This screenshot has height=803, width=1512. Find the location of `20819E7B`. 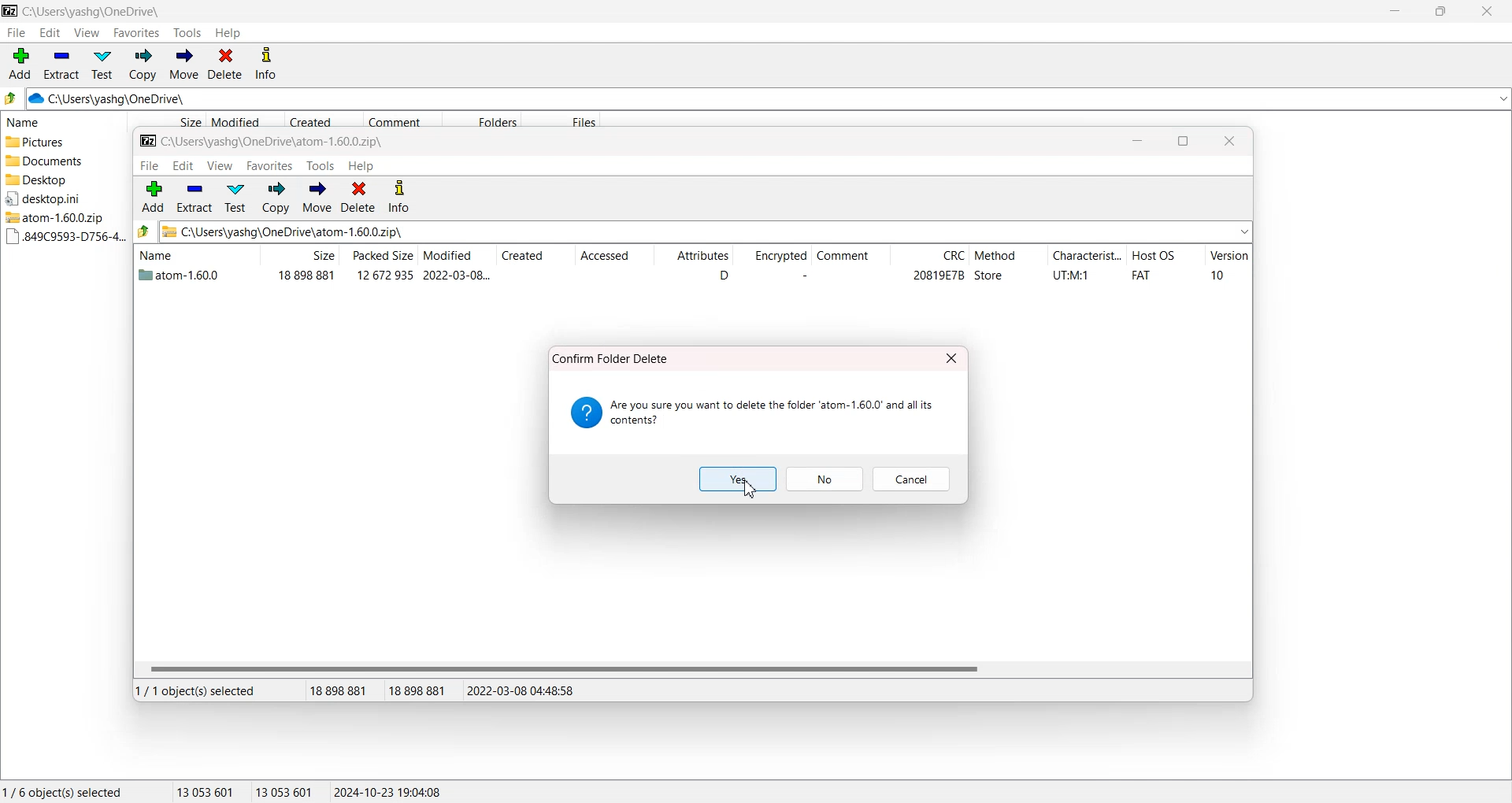

20819E7B is located at coordinates (938, 276).